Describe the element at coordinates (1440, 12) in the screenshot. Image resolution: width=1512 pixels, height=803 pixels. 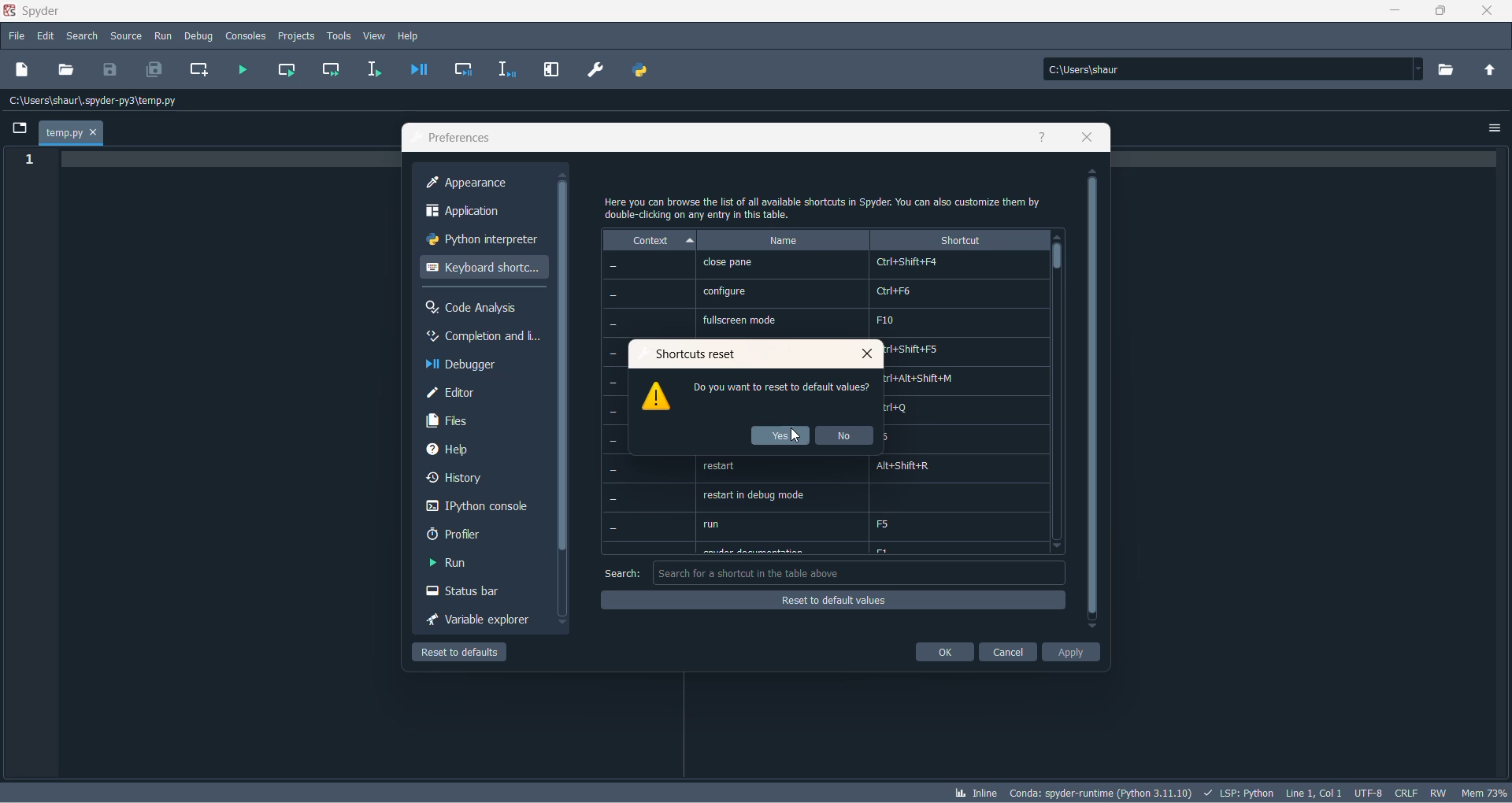
I see `maximize` at that location.